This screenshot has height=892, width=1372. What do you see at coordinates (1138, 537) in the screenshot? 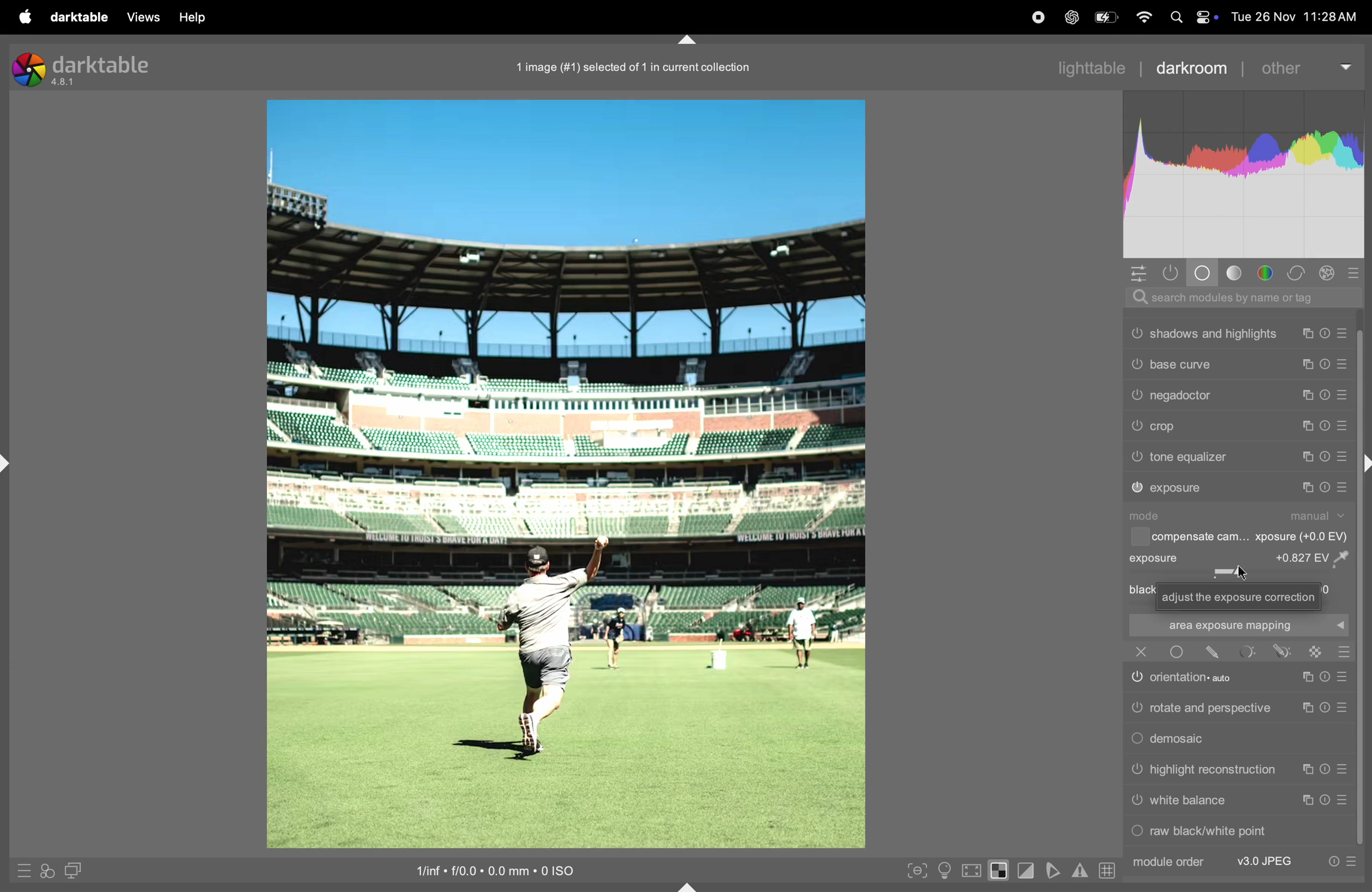
I see `Checkbox ` at bounding box center [1138, 537].